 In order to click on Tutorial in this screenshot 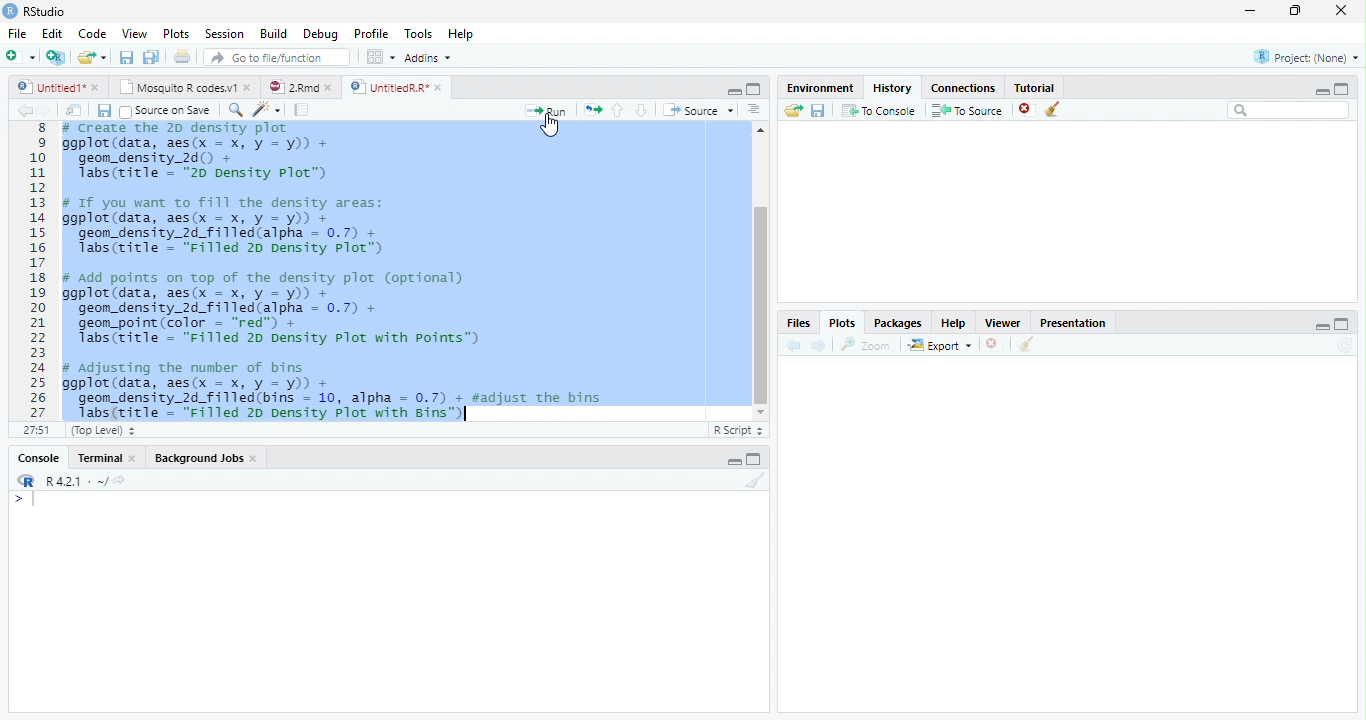, I will do `click(1036, 87)`.